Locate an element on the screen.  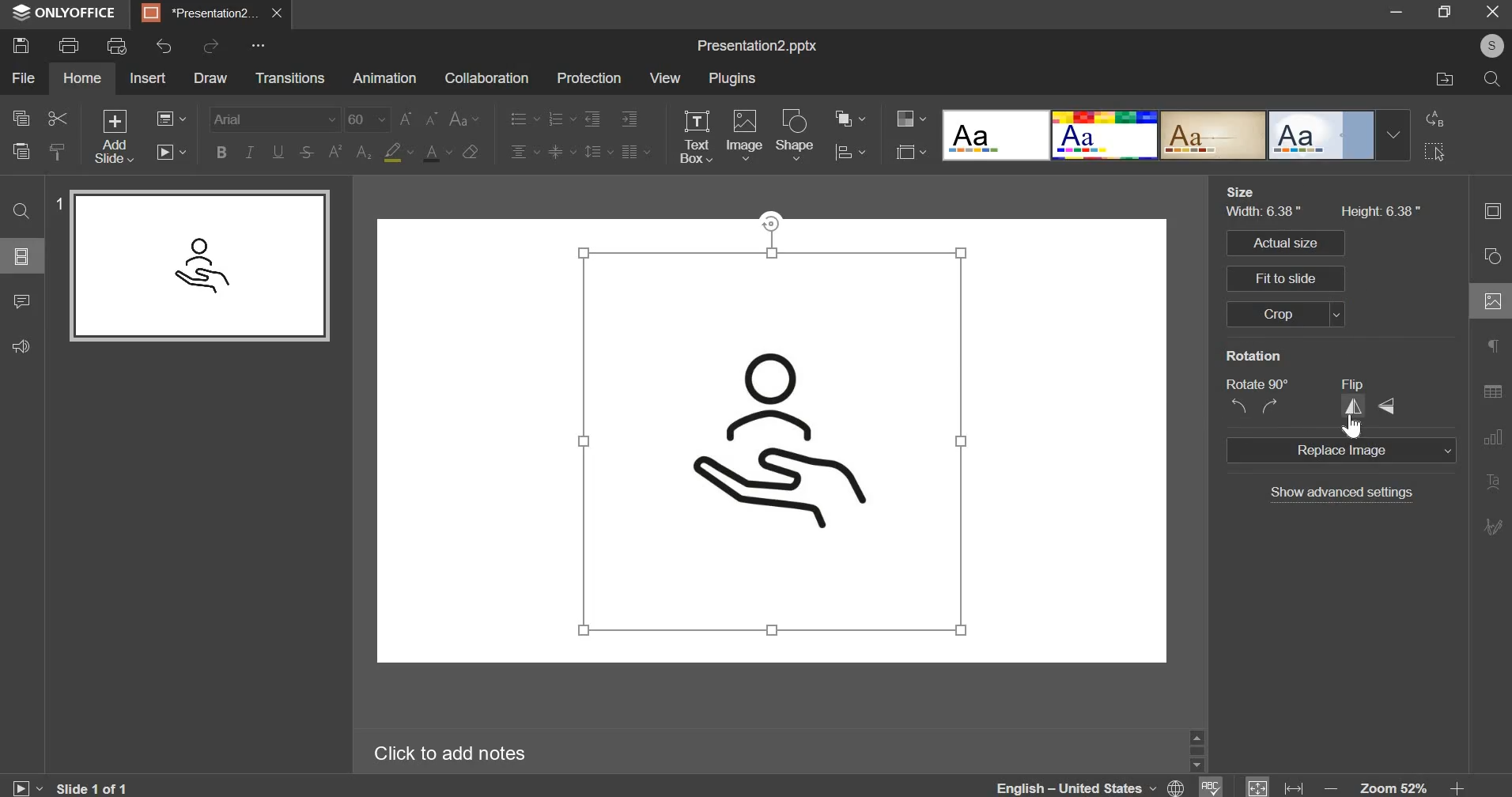
replace is located at coordinates (1435, 120).